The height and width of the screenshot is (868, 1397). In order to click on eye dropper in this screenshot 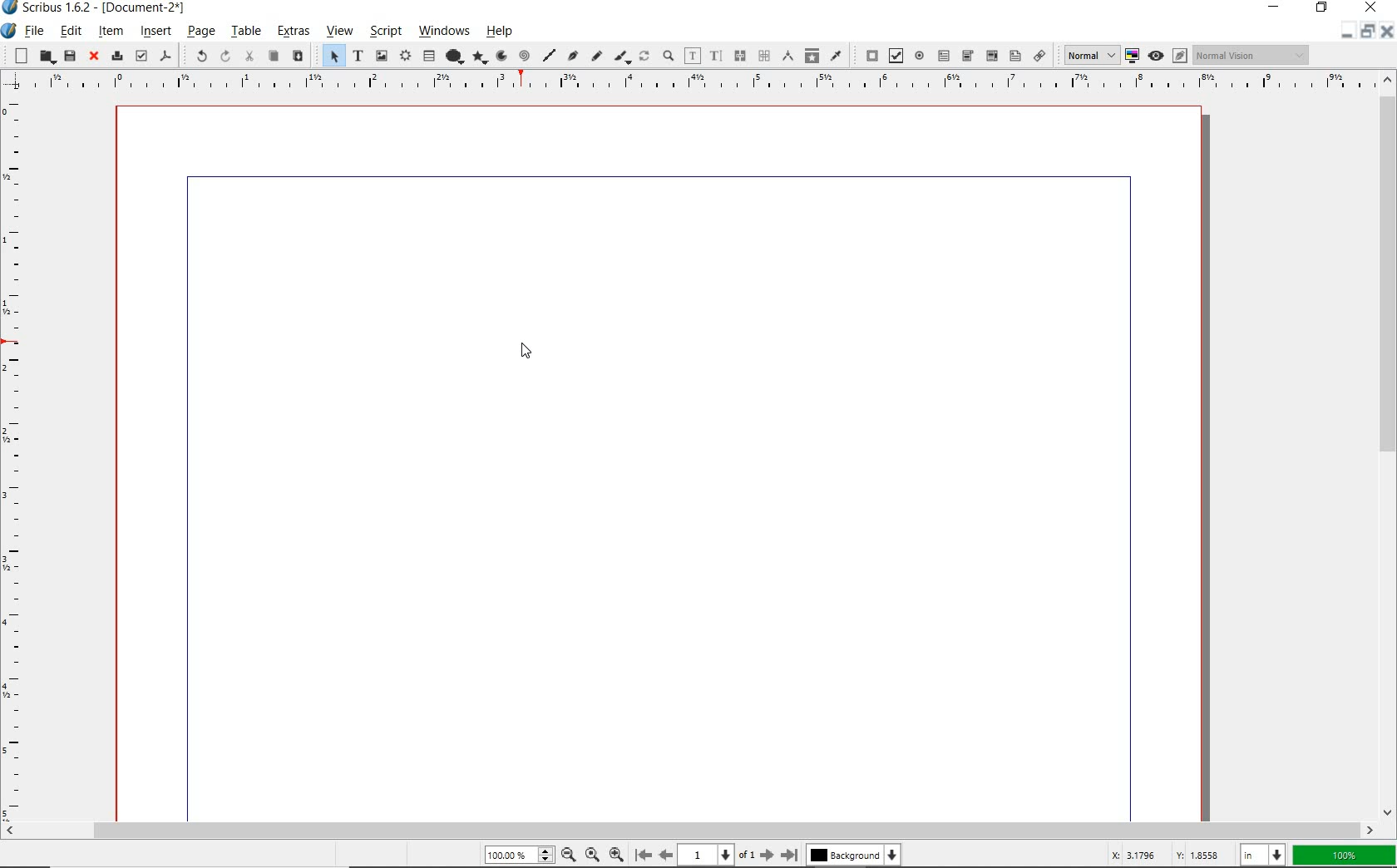, I will do `click(837, 55)`.